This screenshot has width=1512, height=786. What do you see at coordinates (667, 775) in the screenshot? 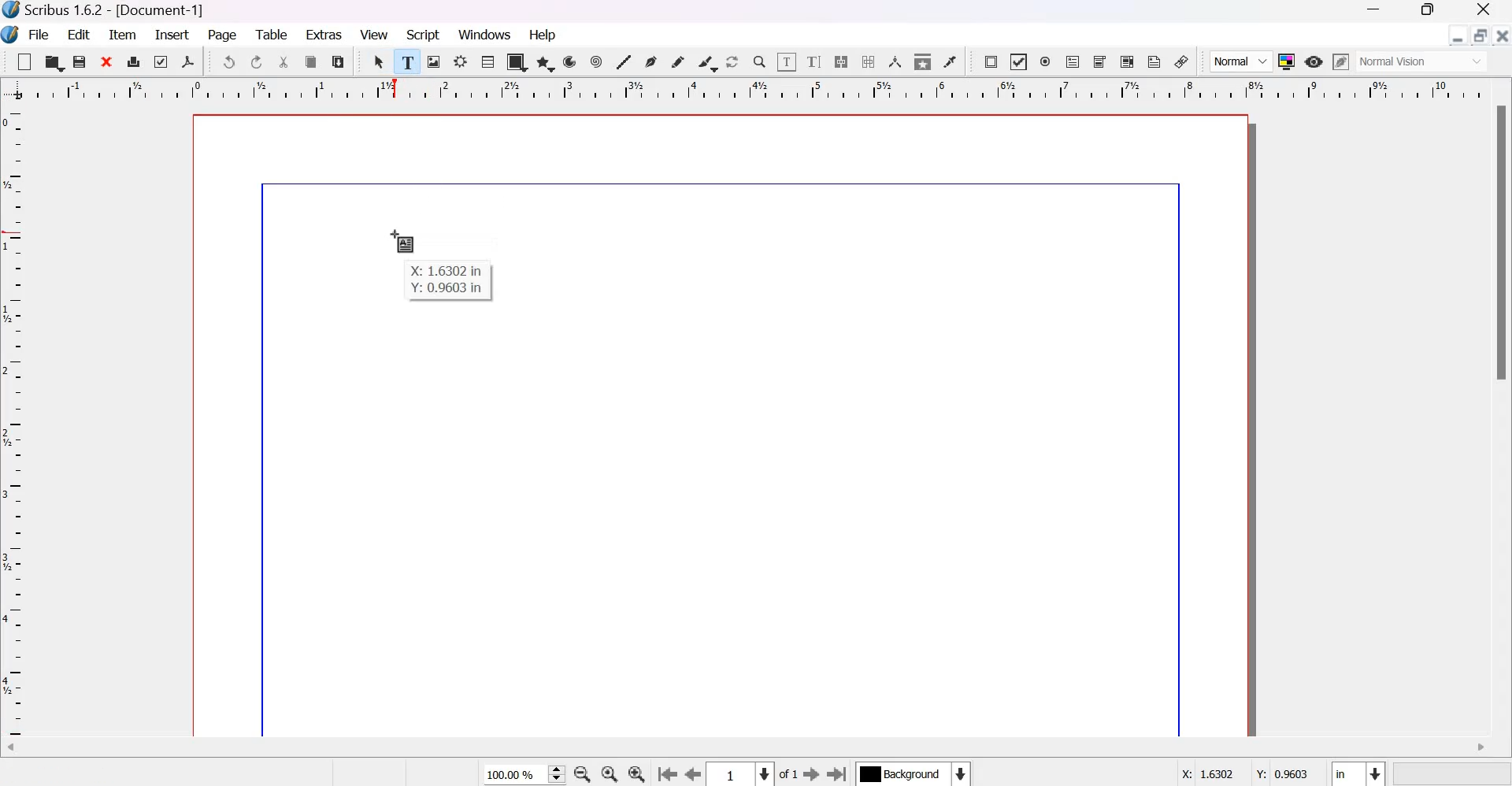
I see `go to the previous page` at bounding box center [667, 775].